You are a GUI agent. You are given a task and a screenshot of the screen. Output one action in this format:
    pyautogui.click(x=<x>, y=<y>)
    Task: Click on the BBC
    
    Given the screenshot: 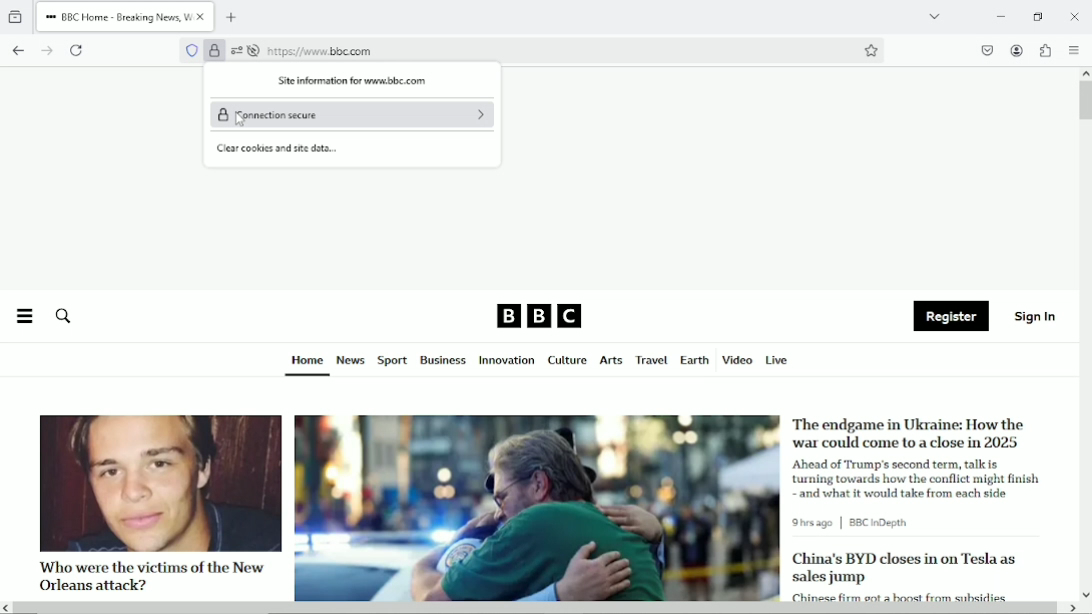 What is the action you would take?
    pyautogui.click(x=539, y=315)
    